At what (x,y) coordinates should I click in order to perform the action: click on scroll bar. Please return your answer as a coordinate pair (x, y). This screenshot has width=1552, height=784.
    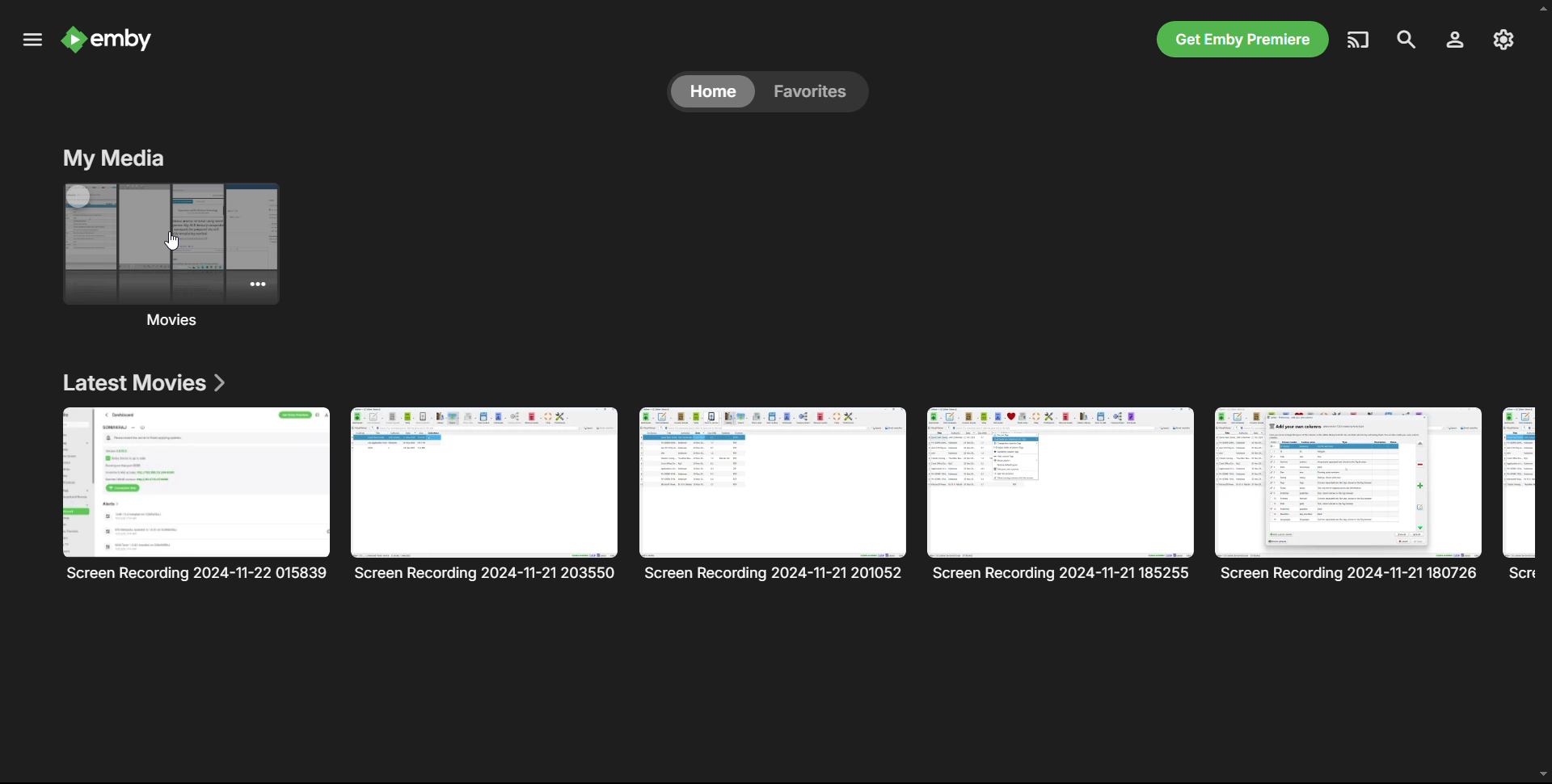
    Looking at the image, I should click on (1541, 390).